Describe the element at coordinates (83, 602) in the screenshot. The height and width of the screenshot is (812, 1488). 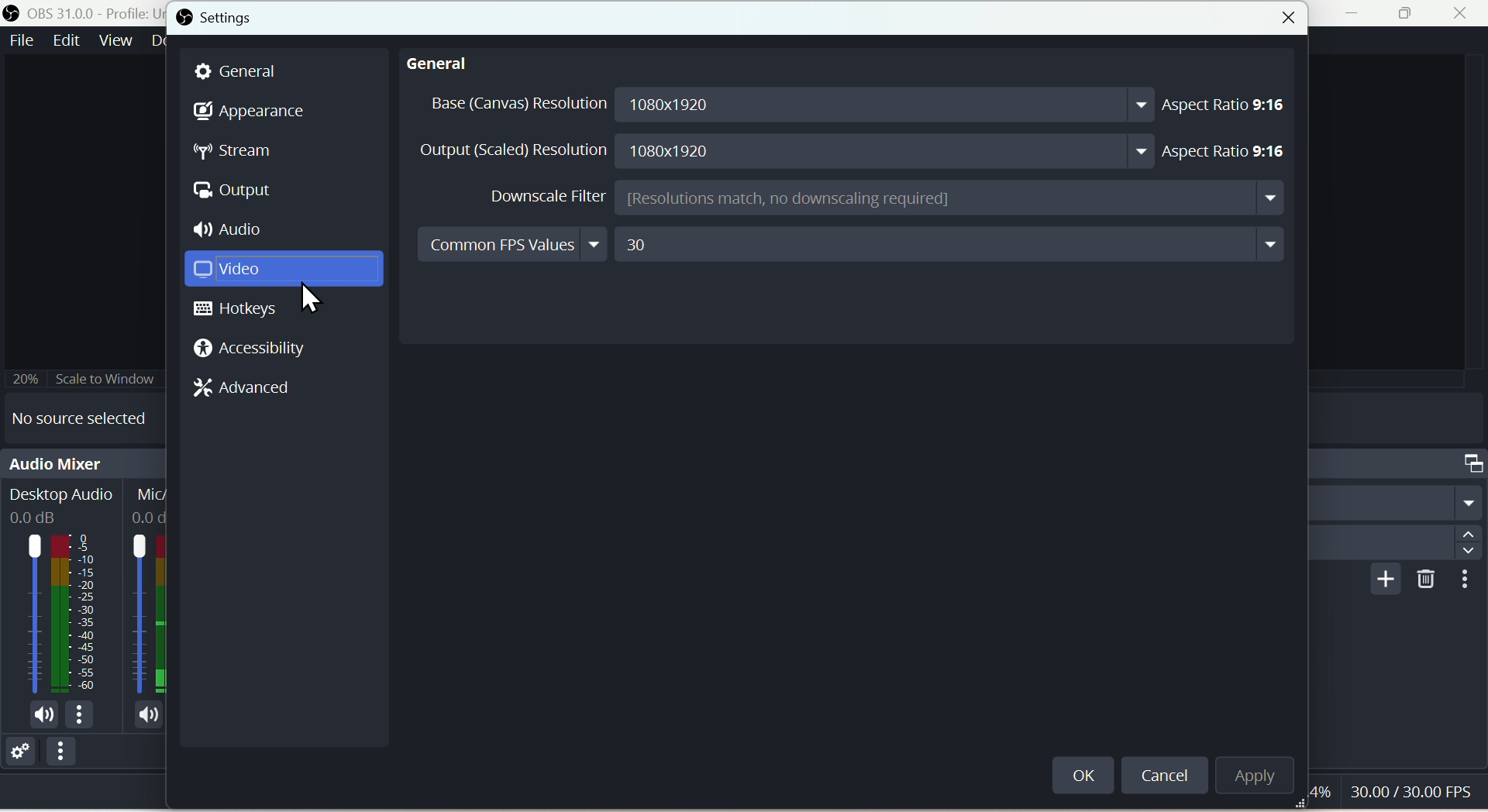
I see `Audio bar` at that location.